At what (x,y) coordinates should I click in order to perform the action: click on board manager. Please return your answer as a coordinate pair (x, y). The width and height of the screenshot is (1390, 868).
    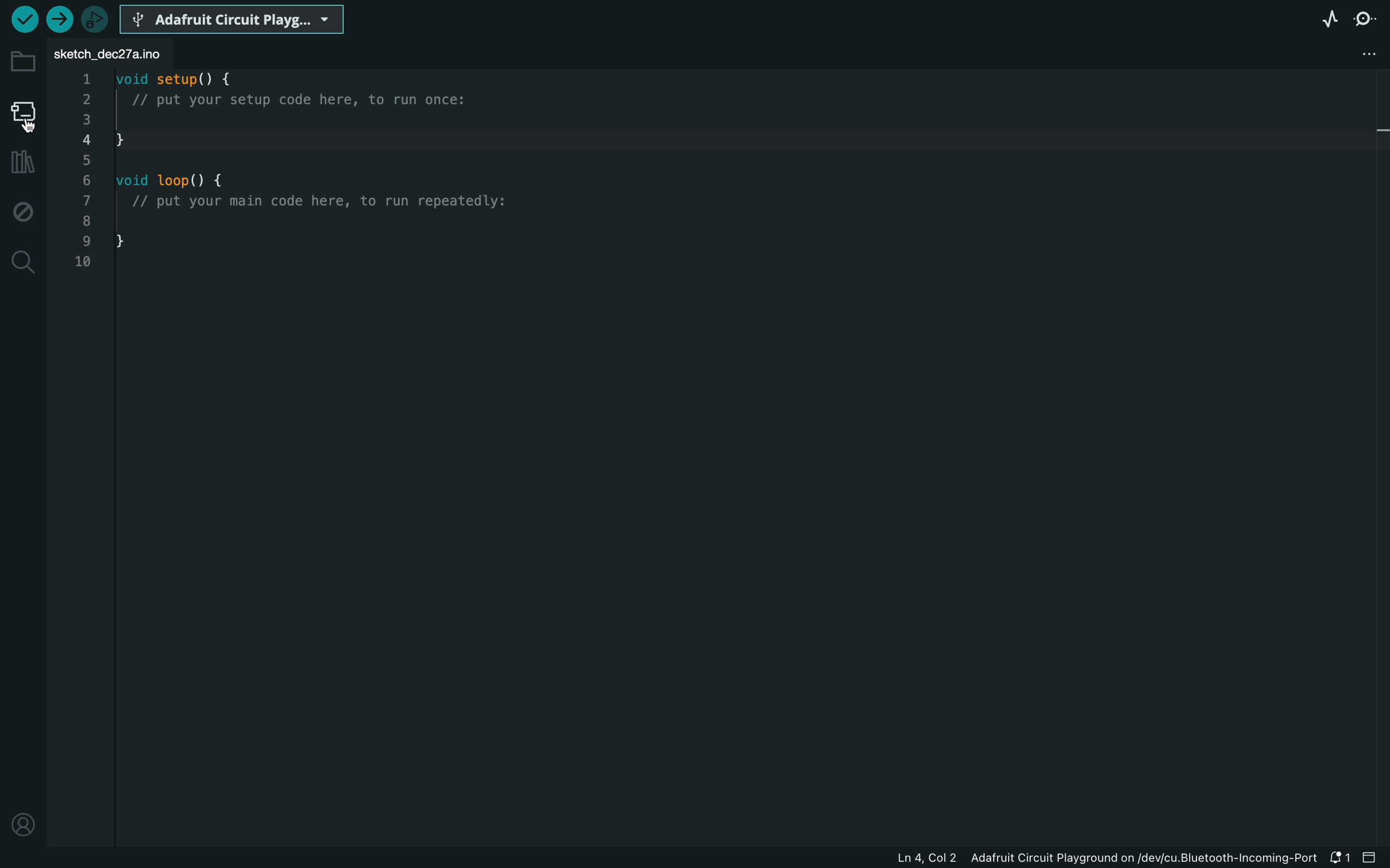
    Looking at the image, I should click on (25, 113).